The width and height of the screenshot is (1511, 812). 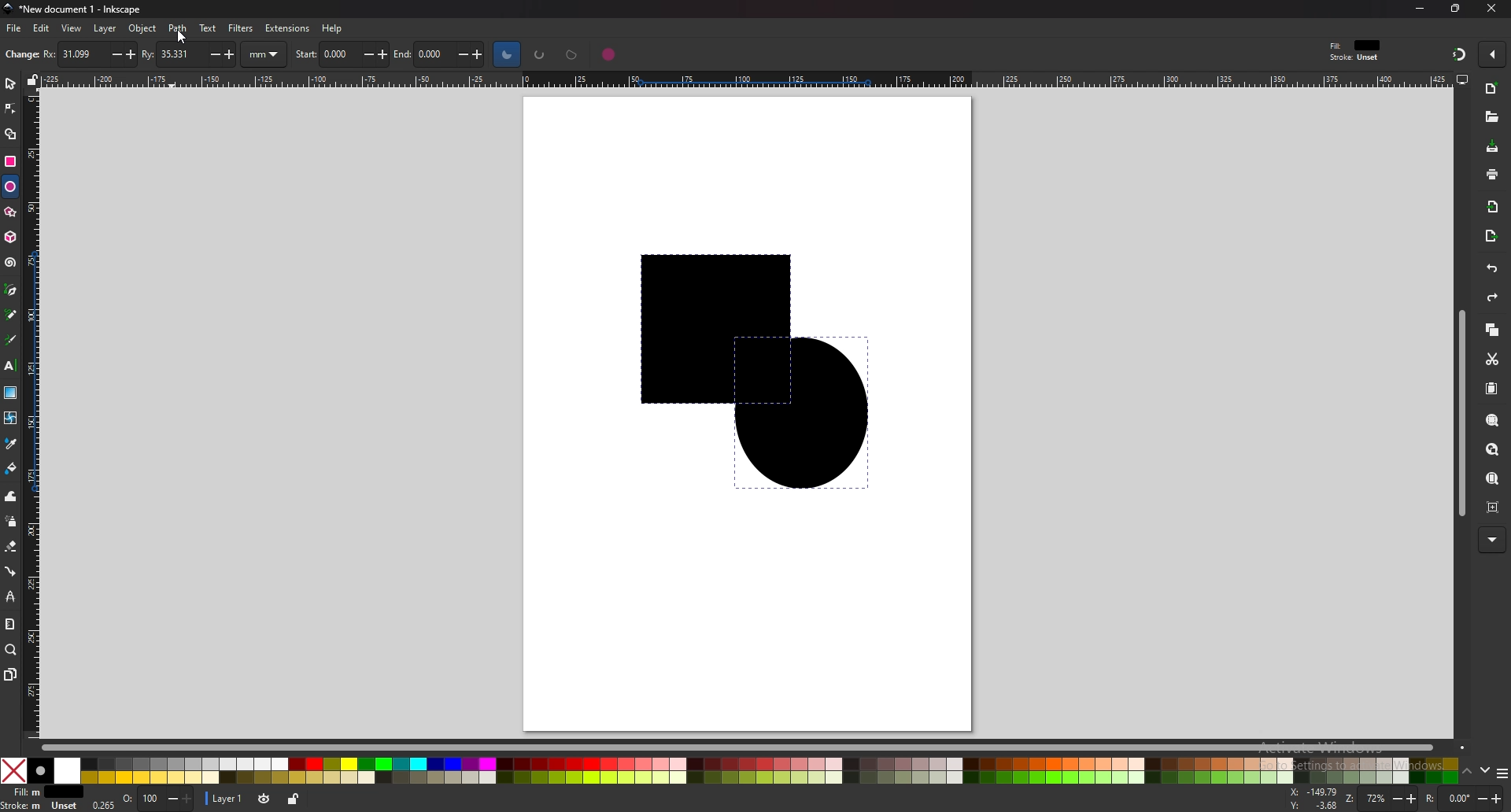 What do you see at coordinates (1492, 174) in the screenshot?
I see `print` at bounding box center [1492, 174].